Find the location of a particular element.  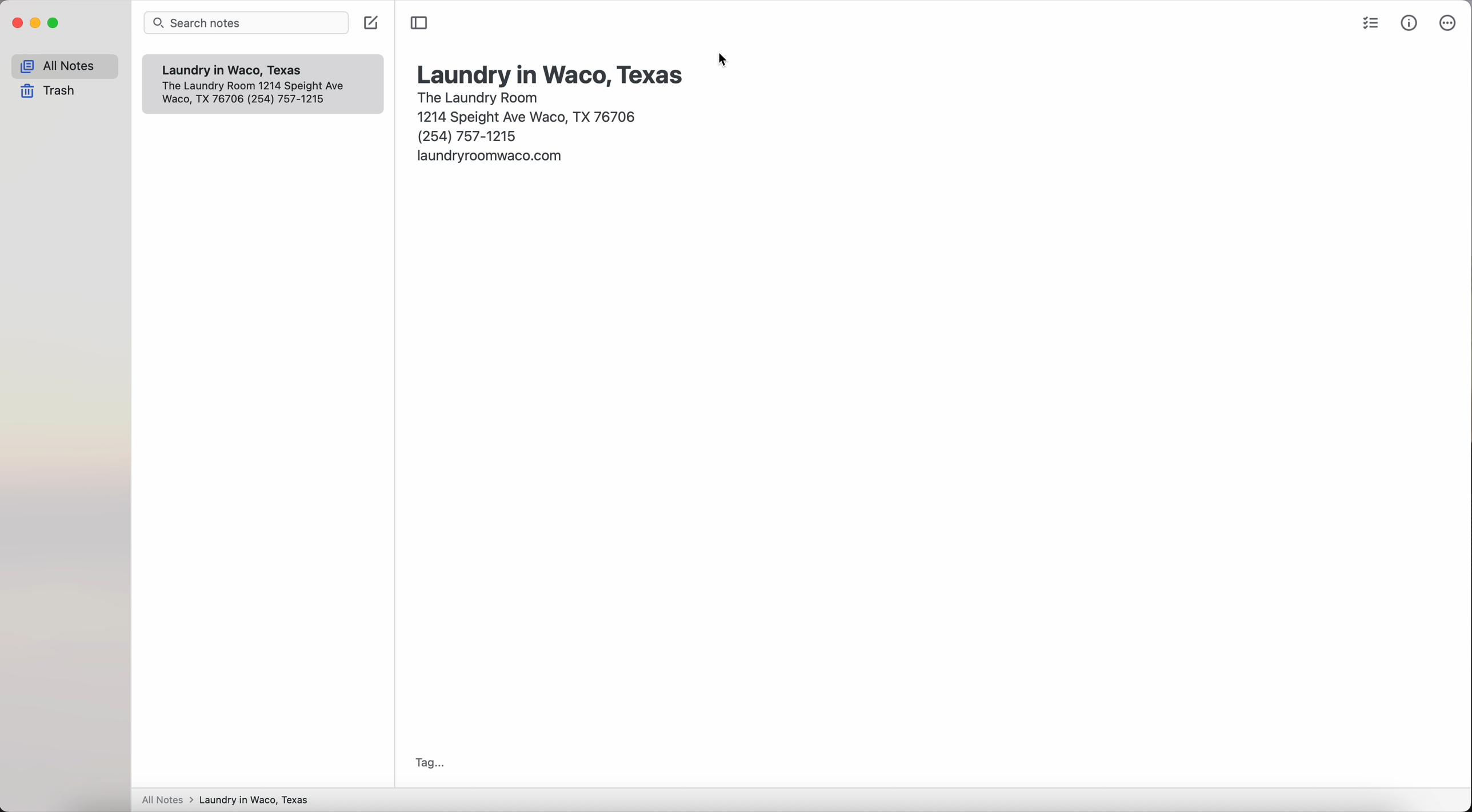

1214 Speight Ave Waco, TX 76706 is located at coordinates (261, 94).